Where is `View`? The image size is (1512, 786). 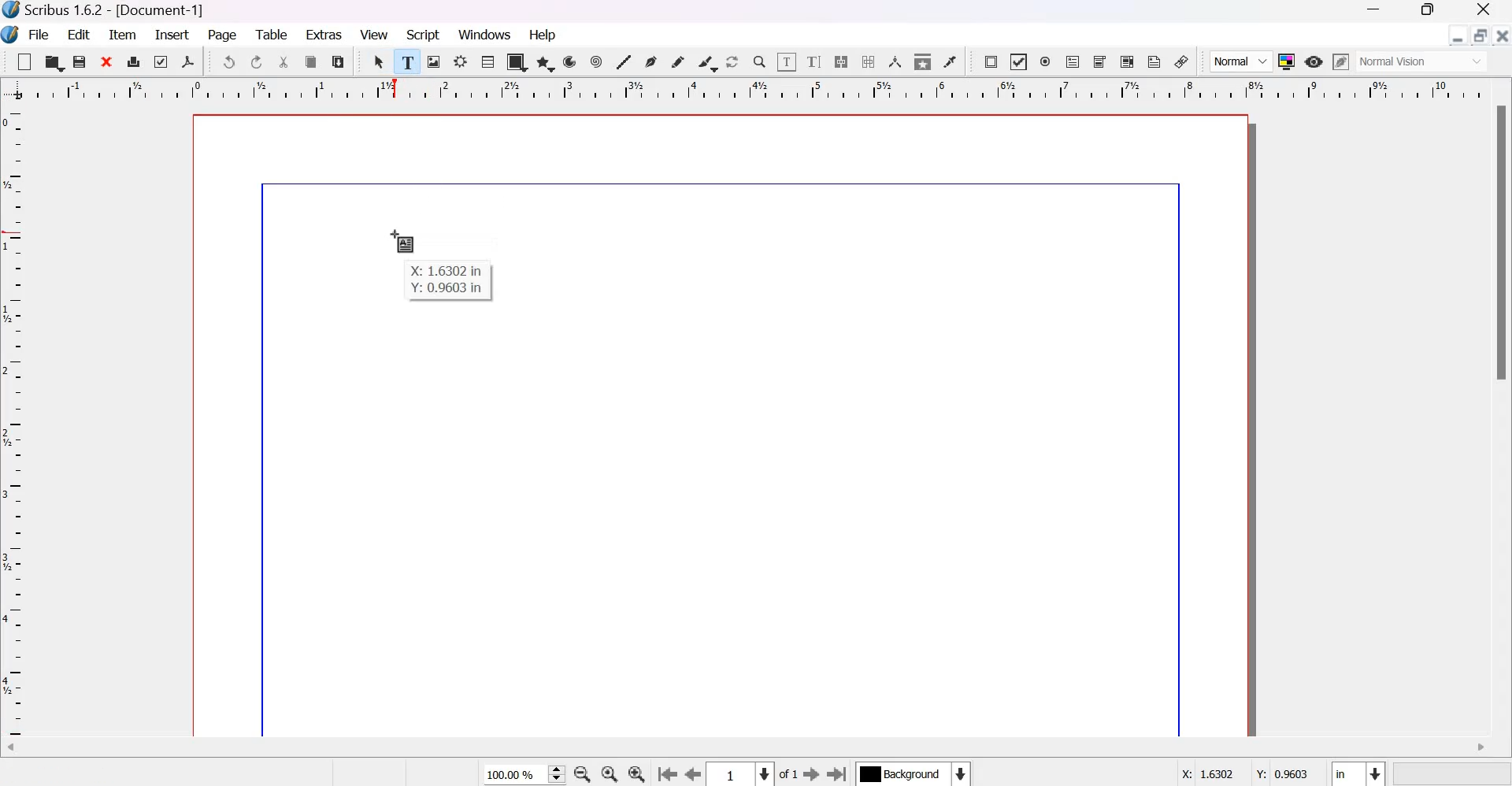
View is located at coordinates (374, 35).